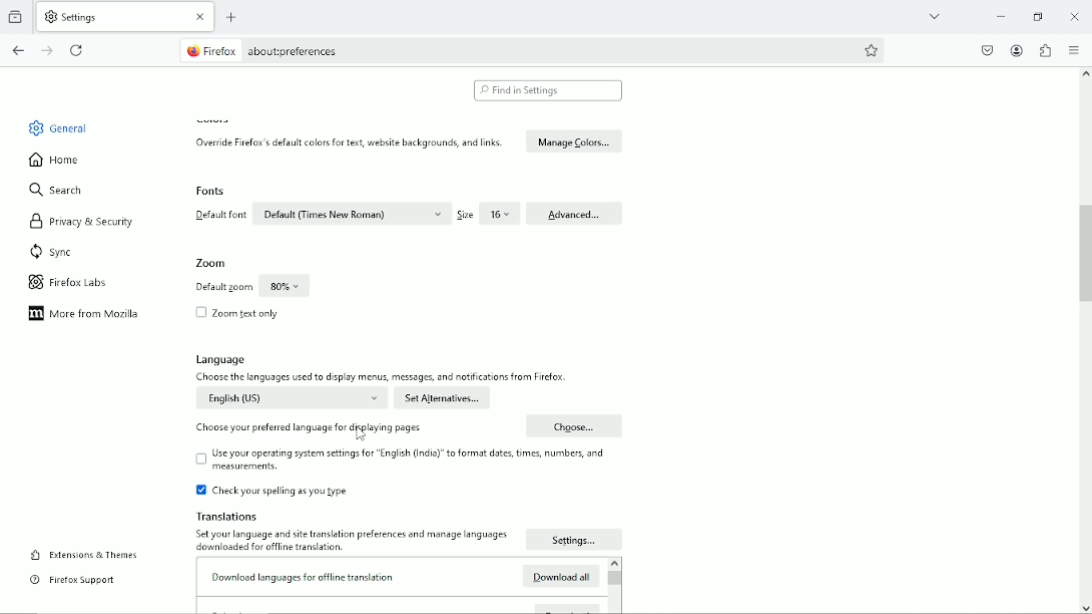  What do you see at coordinates (66, 191) in the screenshot?
I see `Search` at bounding box center [66, 191].